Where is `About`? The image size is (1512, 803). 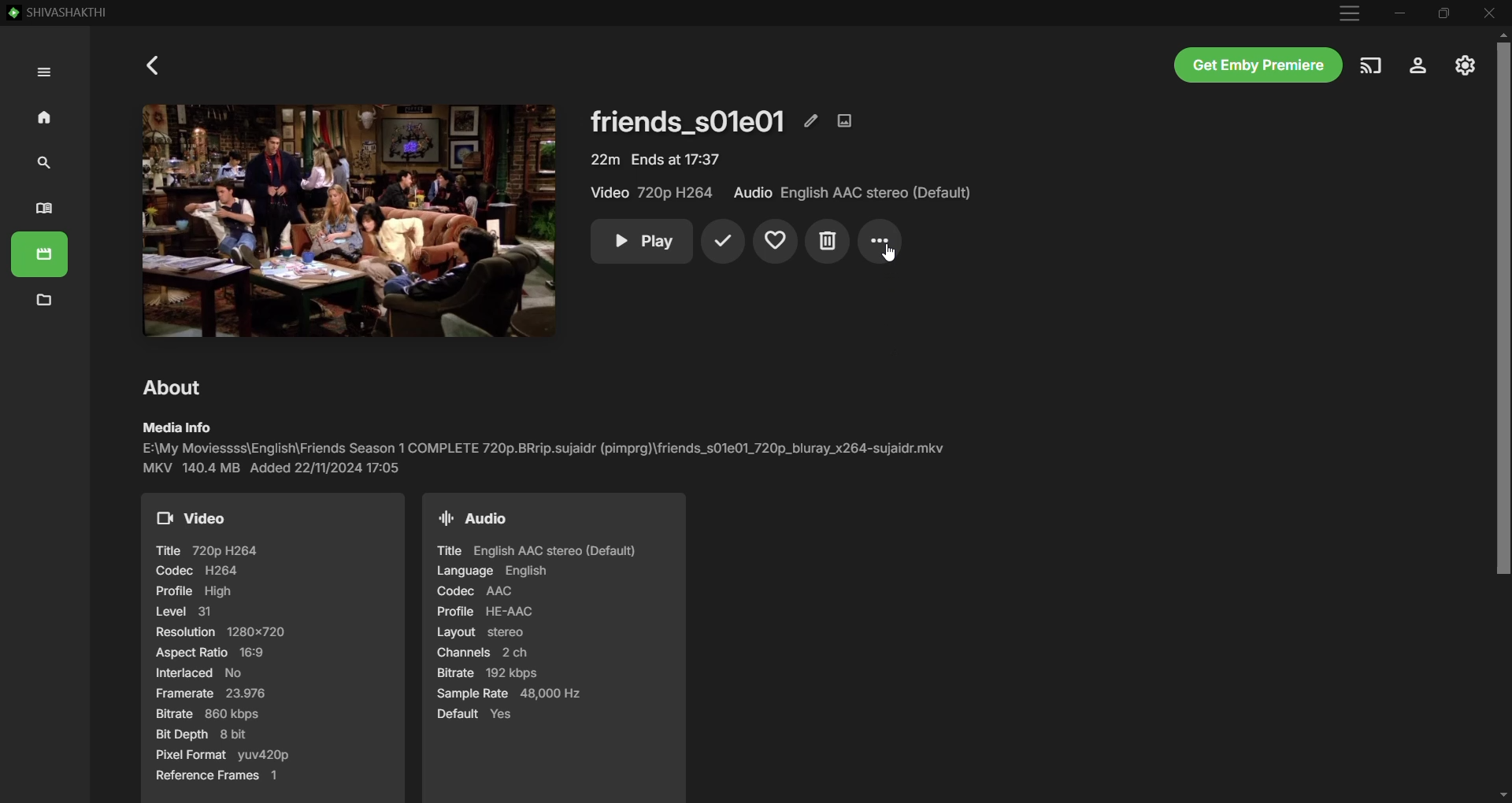
About is located at coordinates (176, 387).